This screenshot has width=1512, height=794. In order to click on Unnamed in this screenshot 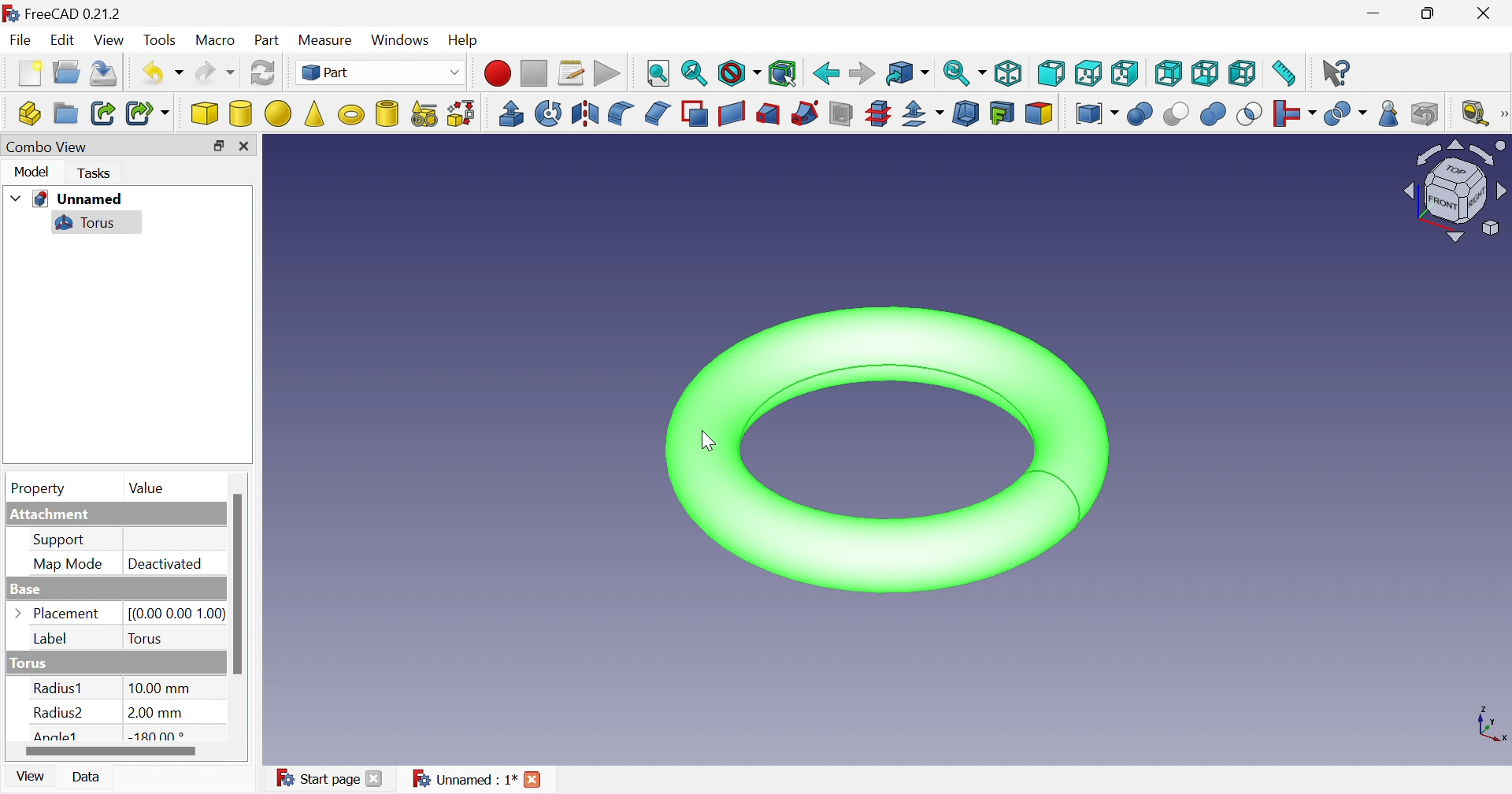, I will do `click(80, 199)`.